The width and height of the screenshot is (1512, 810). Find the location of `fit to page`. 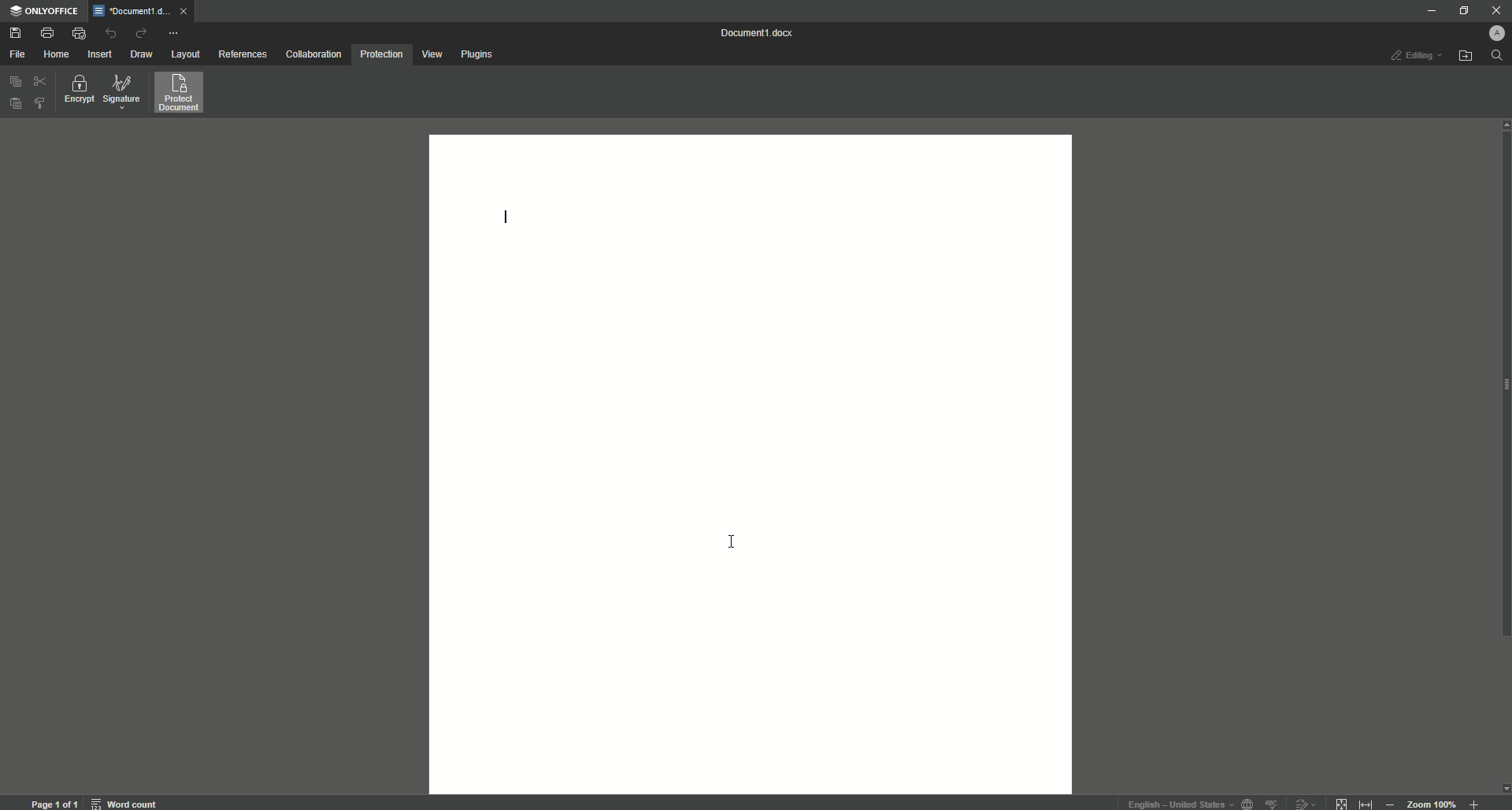

fit to page is located at coordinates (1342, 801).